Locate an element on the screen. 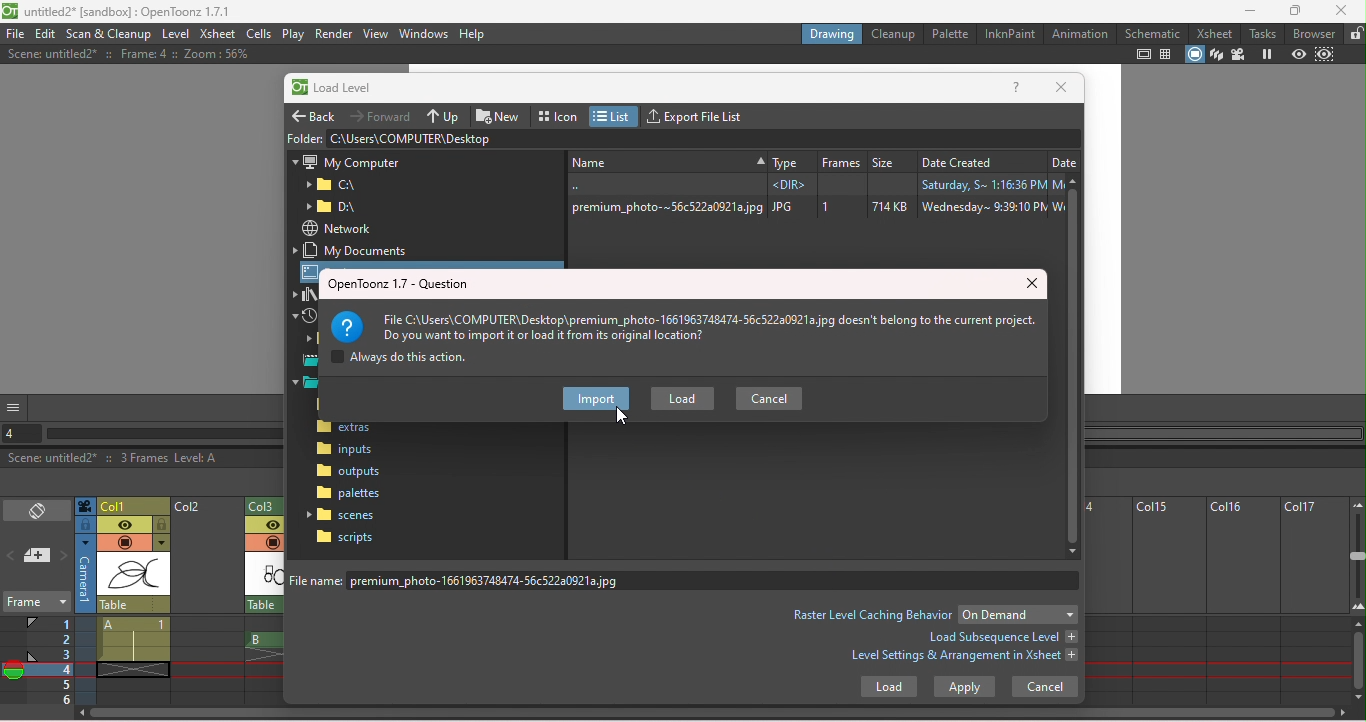  Scripts  is located at coordinates (345, 537).